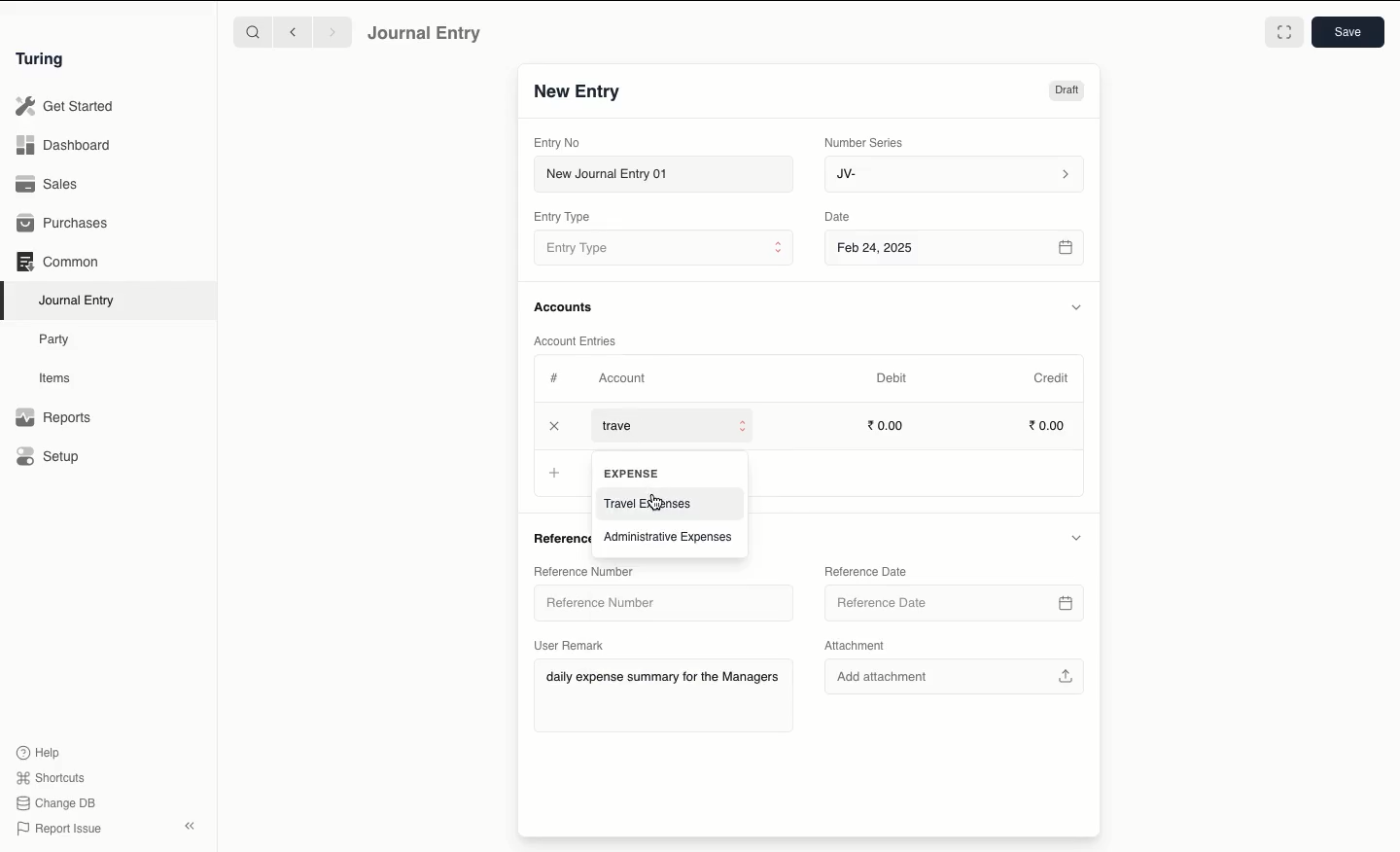 The width and height of the screenshot is (1400, 852). What do you see at coordinates (892, 378) in the screenshot?
I see `Debit` at bounding box center [892, 378].